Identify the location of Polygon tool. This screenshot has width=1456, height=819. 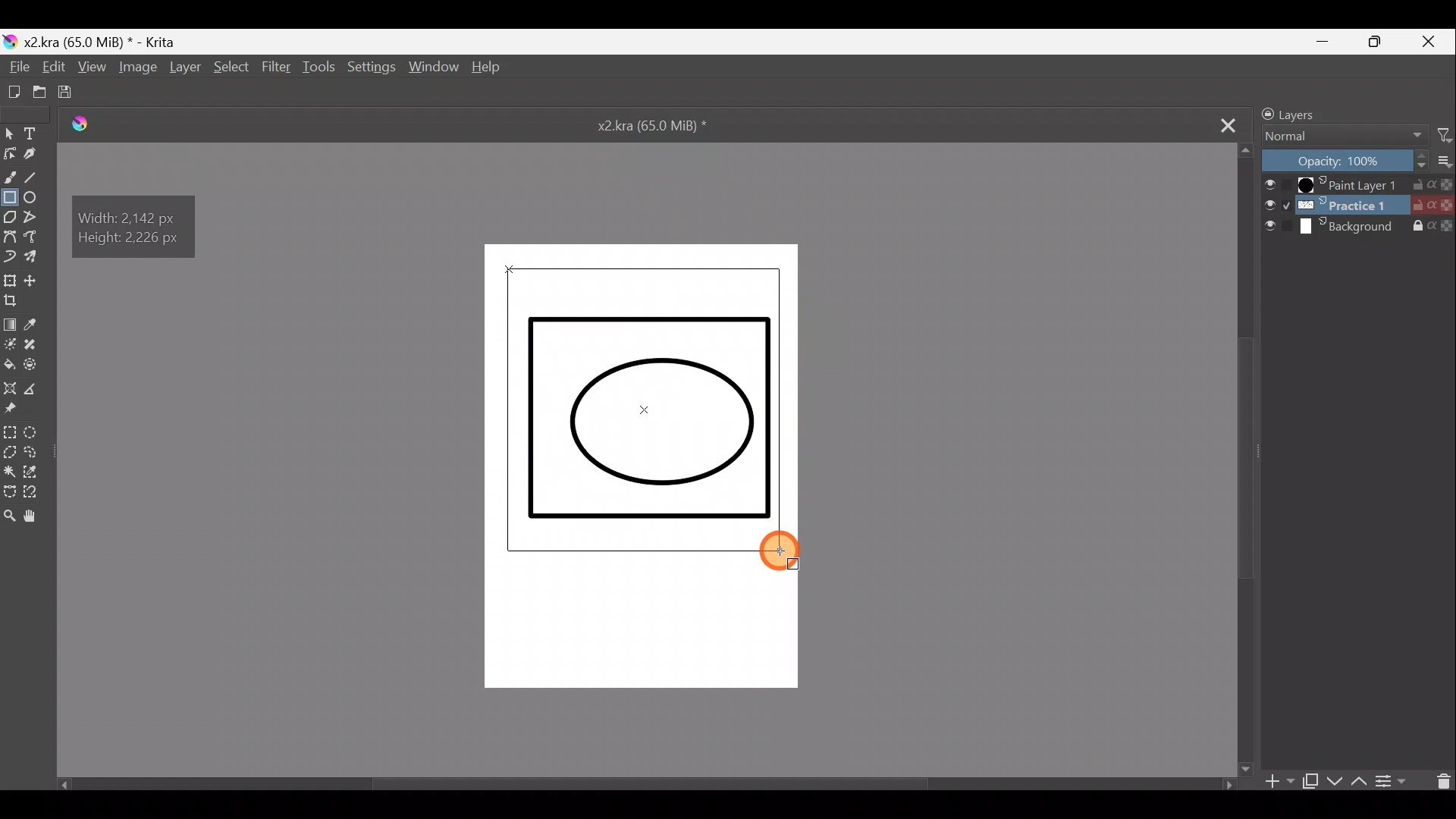
(9, 217).